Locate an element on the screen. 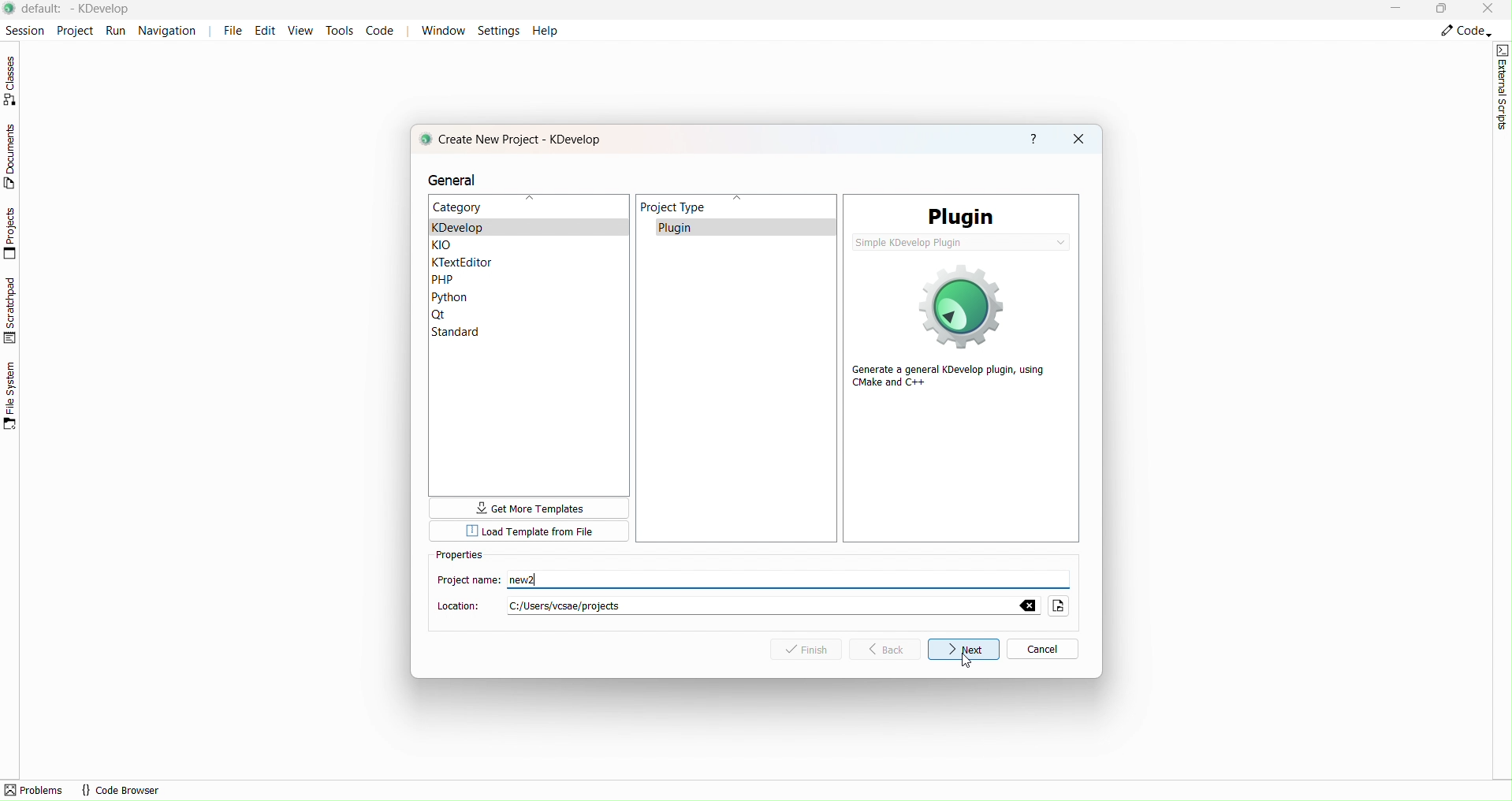 Image resolution: width=1512 pixels, height=801 pixels. Finish is located at coordinates (812, 651).